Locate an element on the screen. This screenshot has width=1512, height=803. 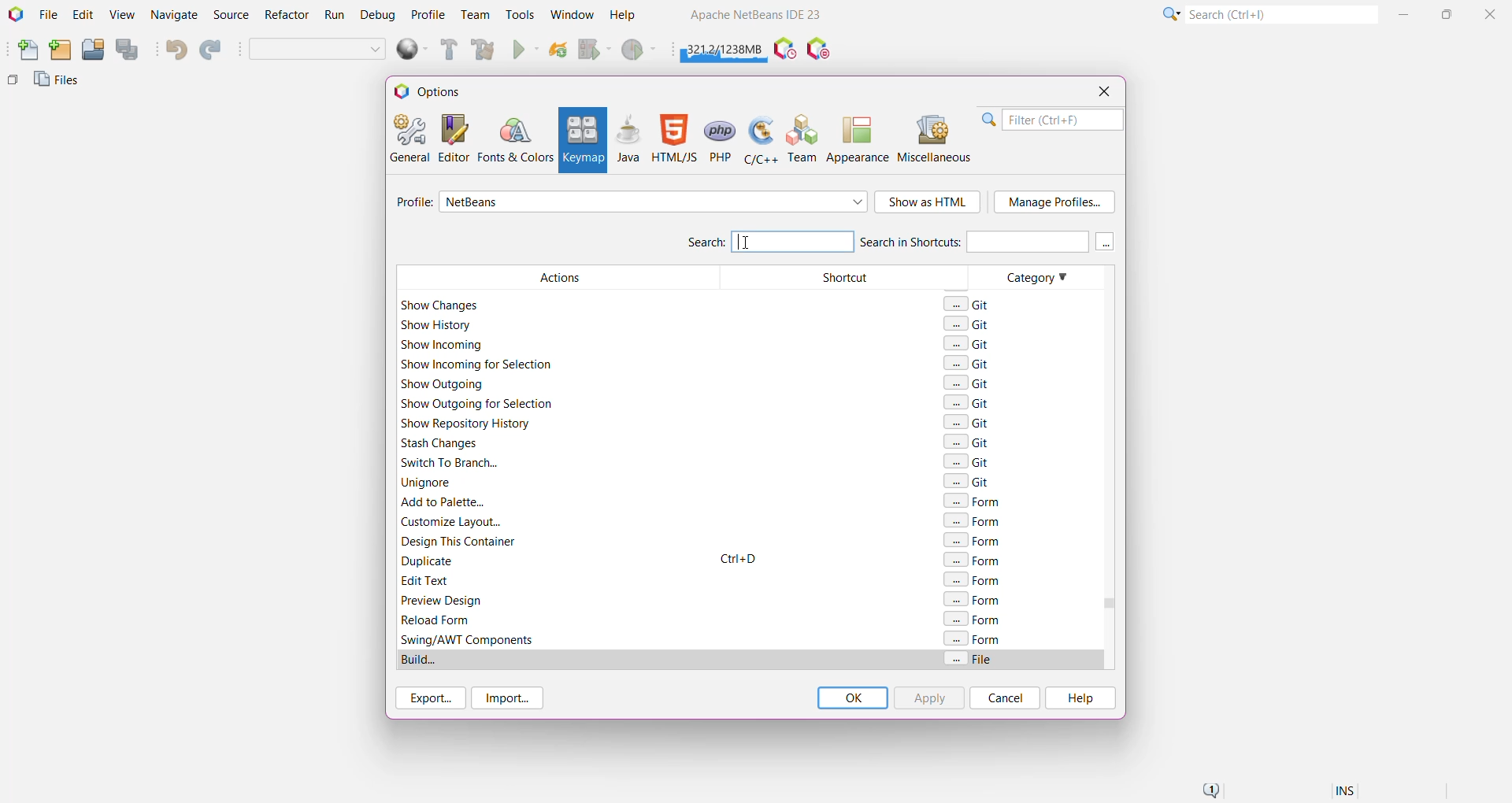
Reload is located at coordinates (558, 51).